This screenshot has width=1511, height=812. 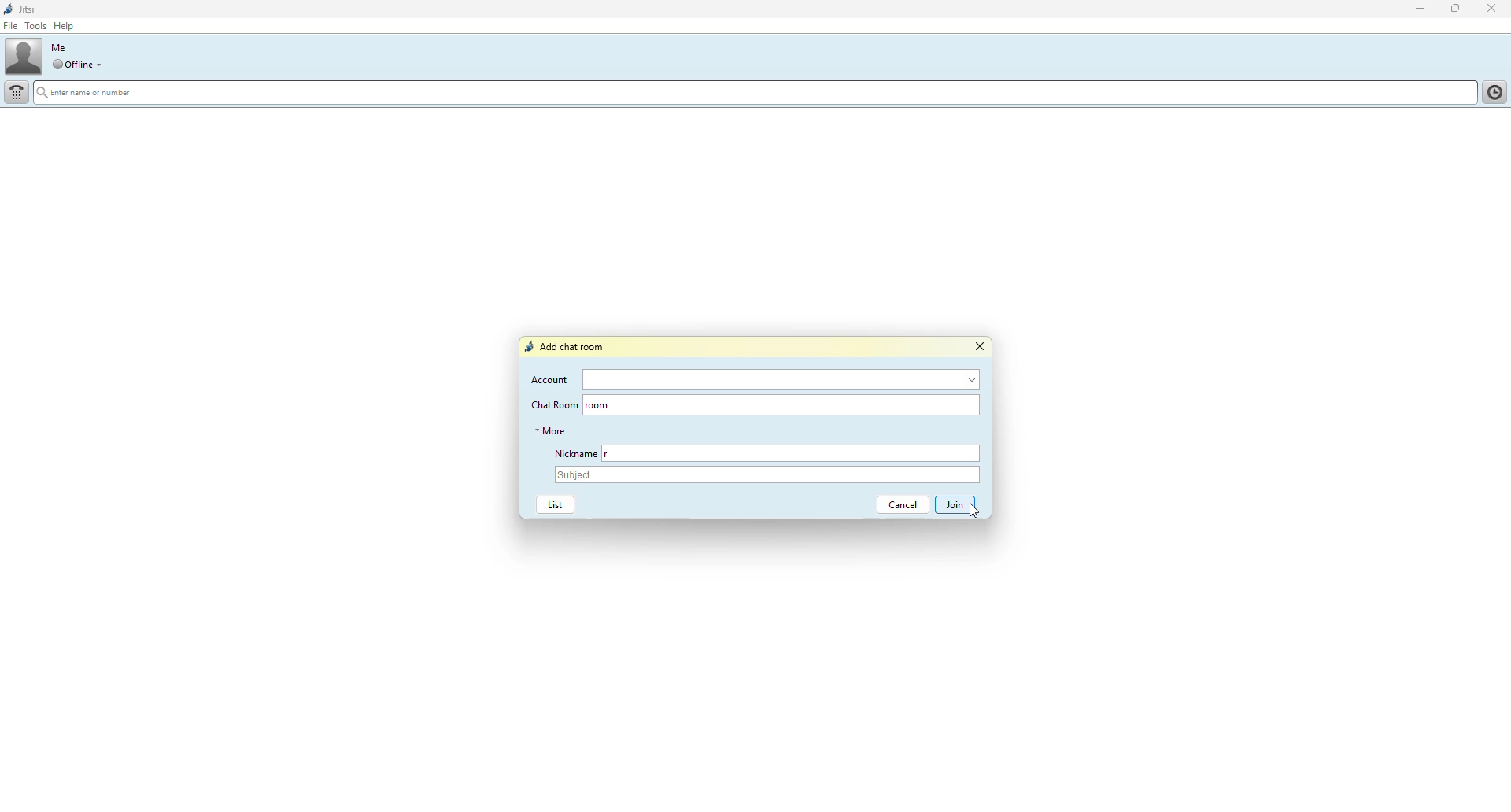 I want to click on chat room, so click(x=800, y=404).